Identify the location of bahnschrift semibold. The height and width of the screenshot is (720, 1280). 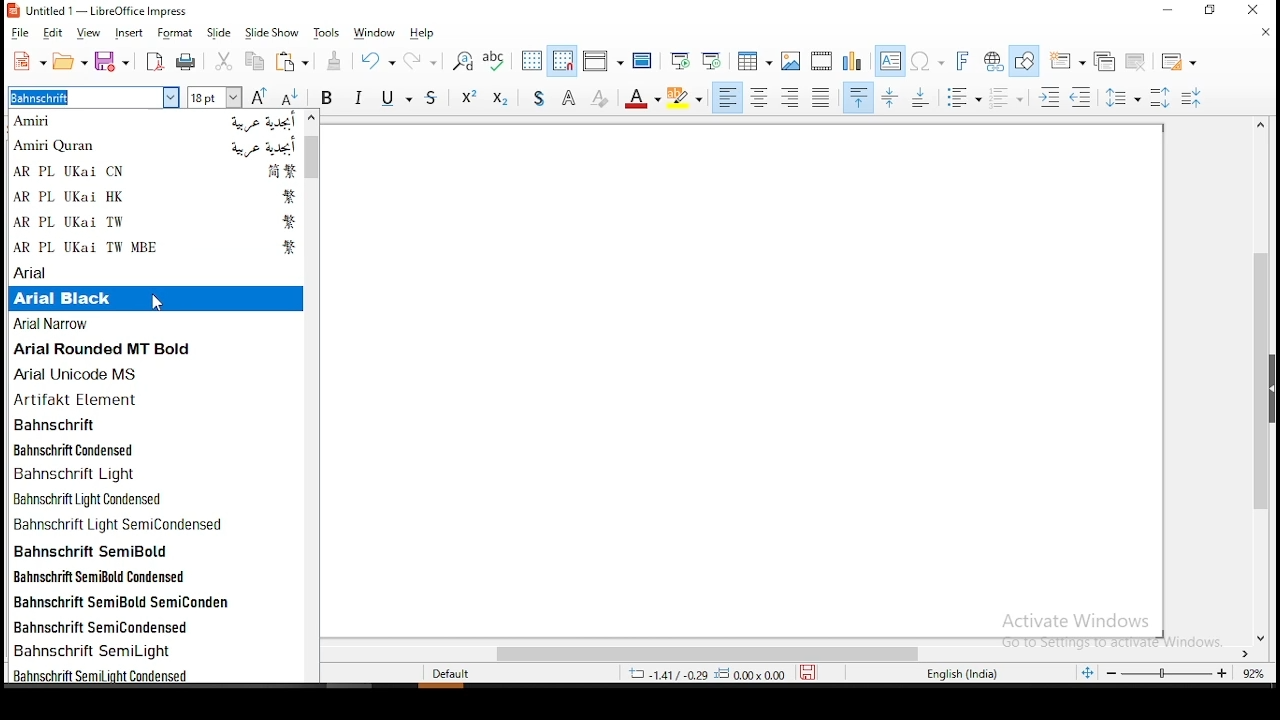
(158, 550).